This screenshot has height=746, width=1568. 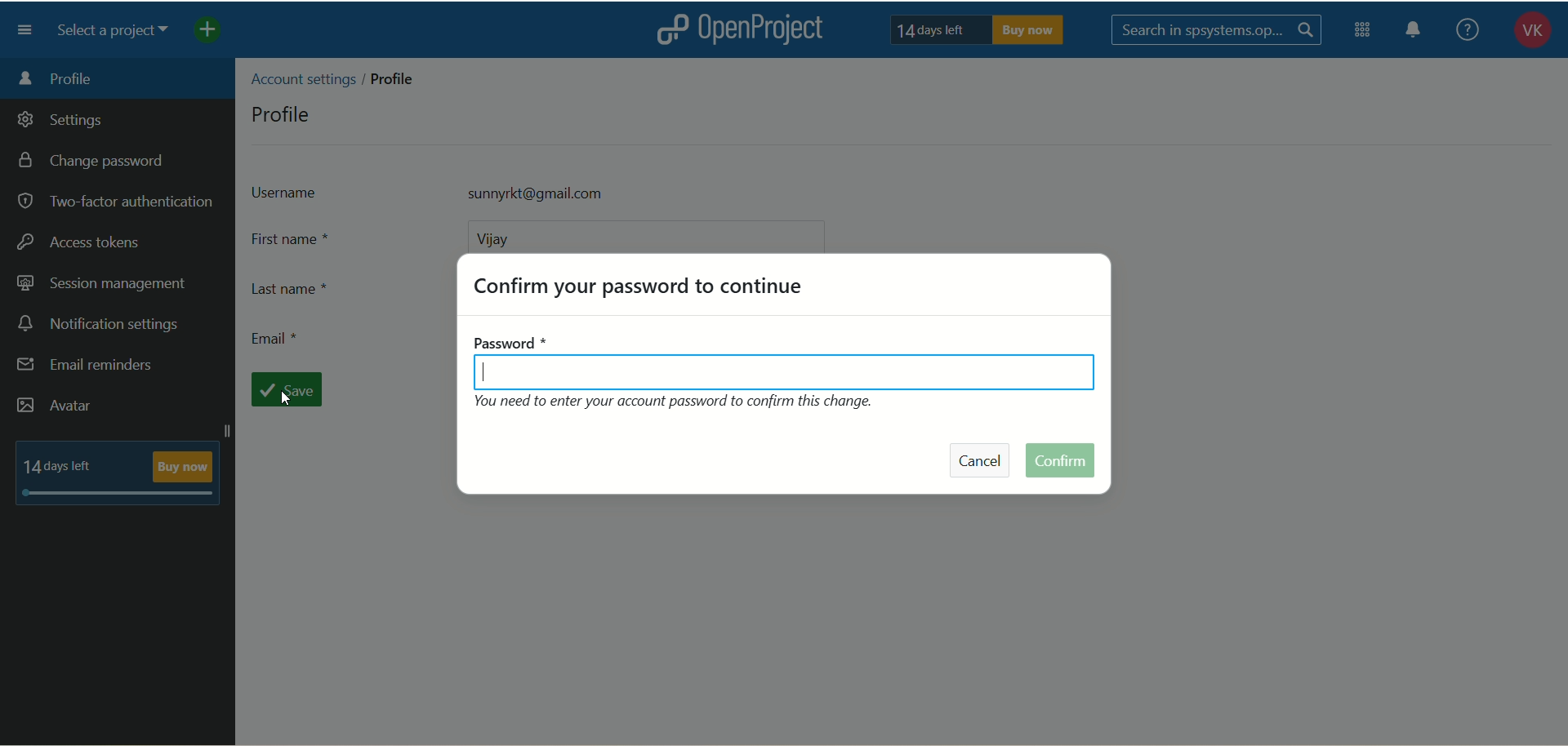 What do you see at coordinates (1364, 33) in the screenshot?
I see `modules` at bounding box center [1364, 33].